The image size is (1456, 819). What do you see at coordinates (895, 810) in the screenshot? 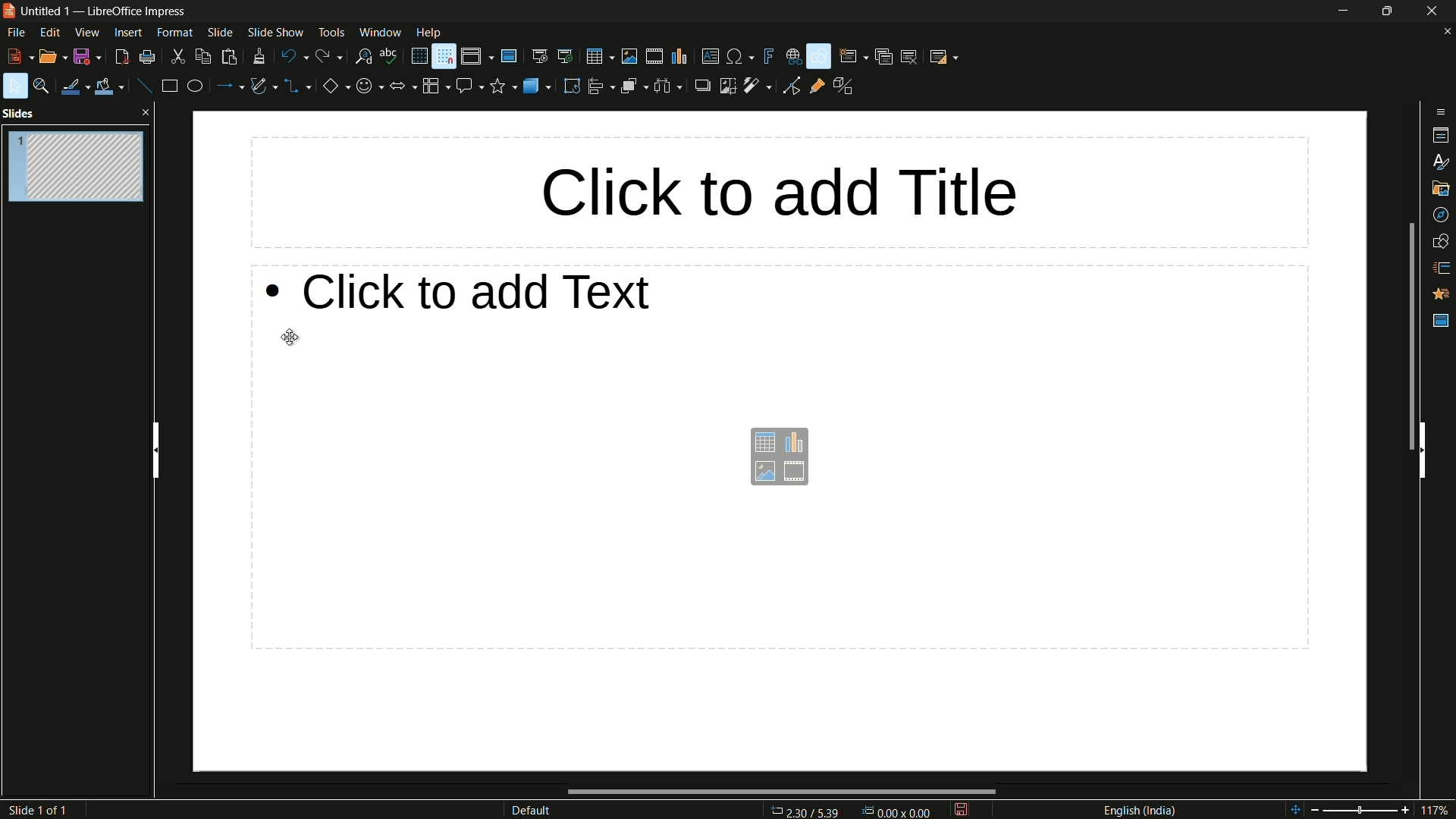
I see `width & height of selected object` at bounding box center [895, 810].